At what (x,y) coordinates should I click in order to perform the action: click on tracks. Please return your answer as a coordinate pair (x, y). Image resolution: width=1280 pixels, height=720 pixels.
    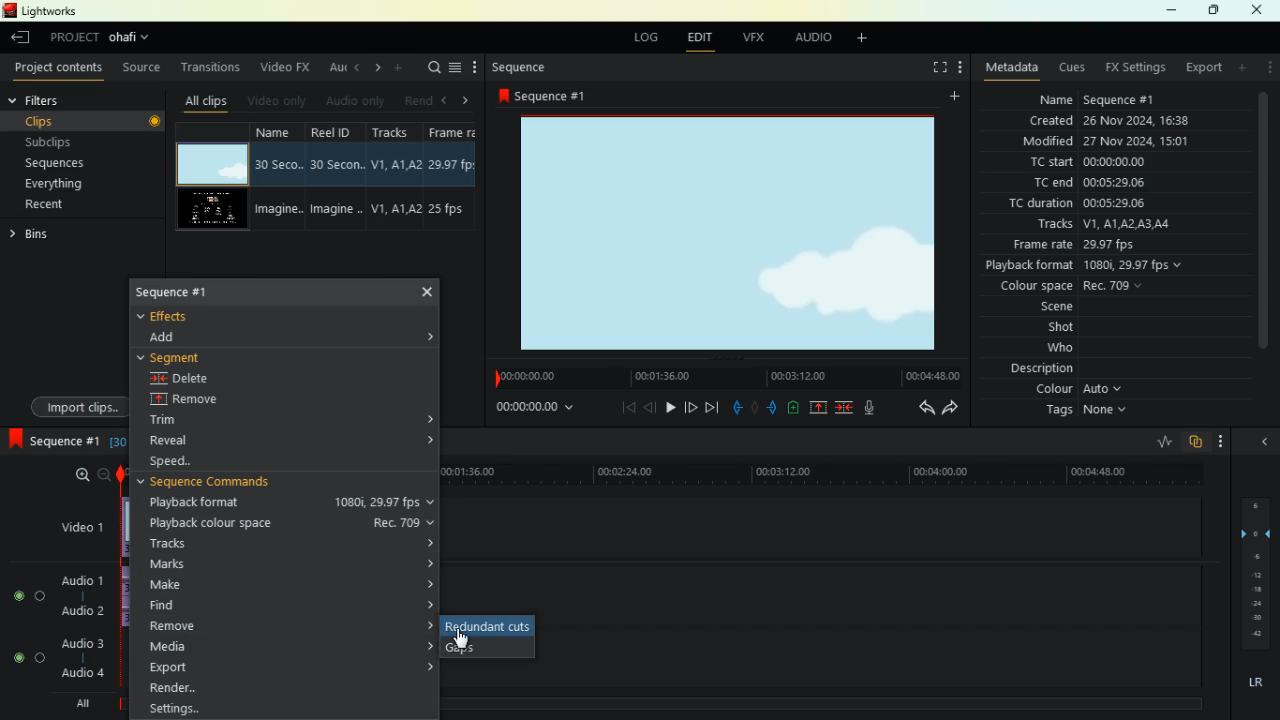
    Looking at the image, I should click on (1113, 225).